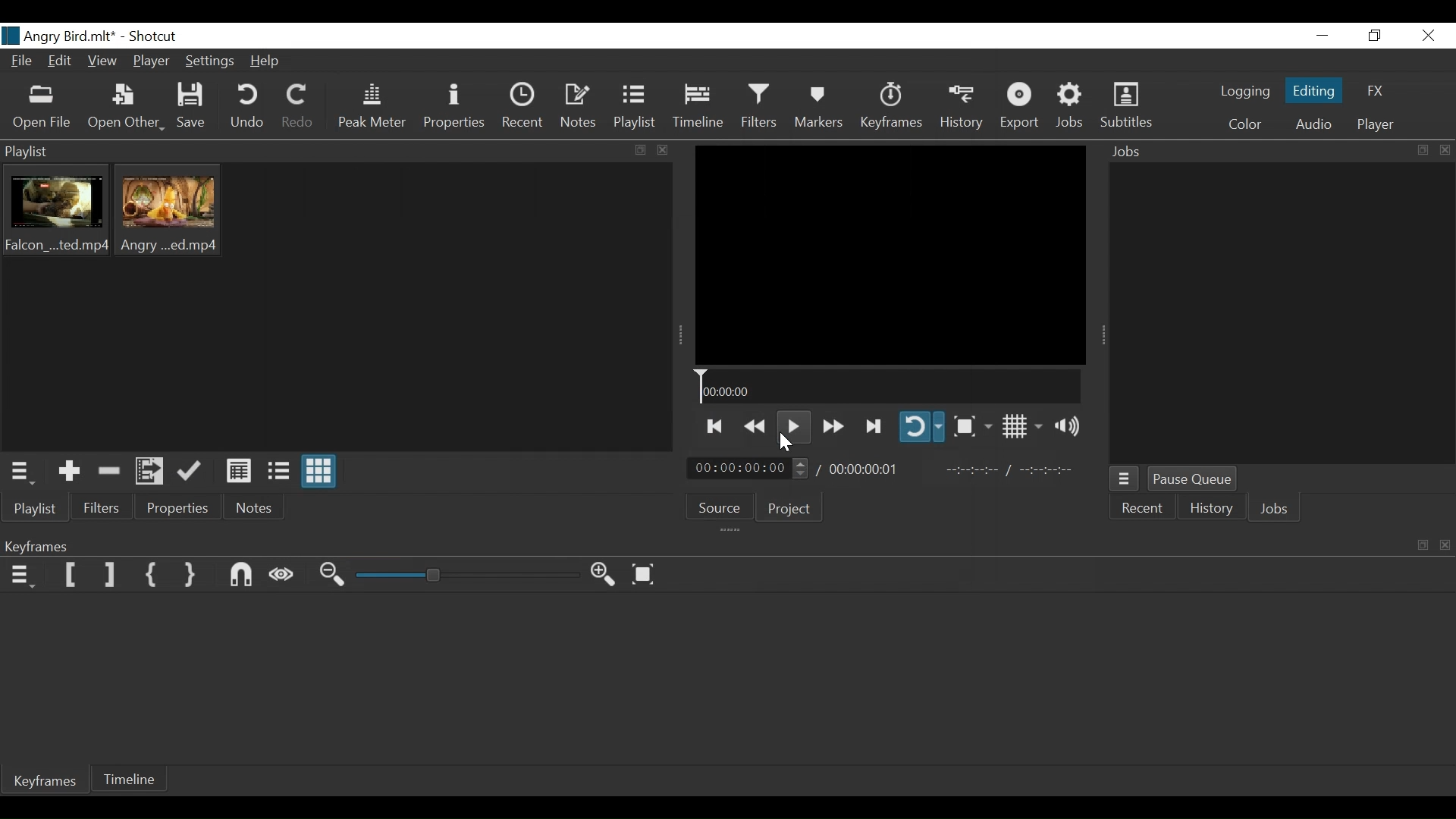 The height and width of the screenshot is (819, 1456). Describe the element at coordinates (319, 472) in the screenshot. I see `View as ions` at that location.